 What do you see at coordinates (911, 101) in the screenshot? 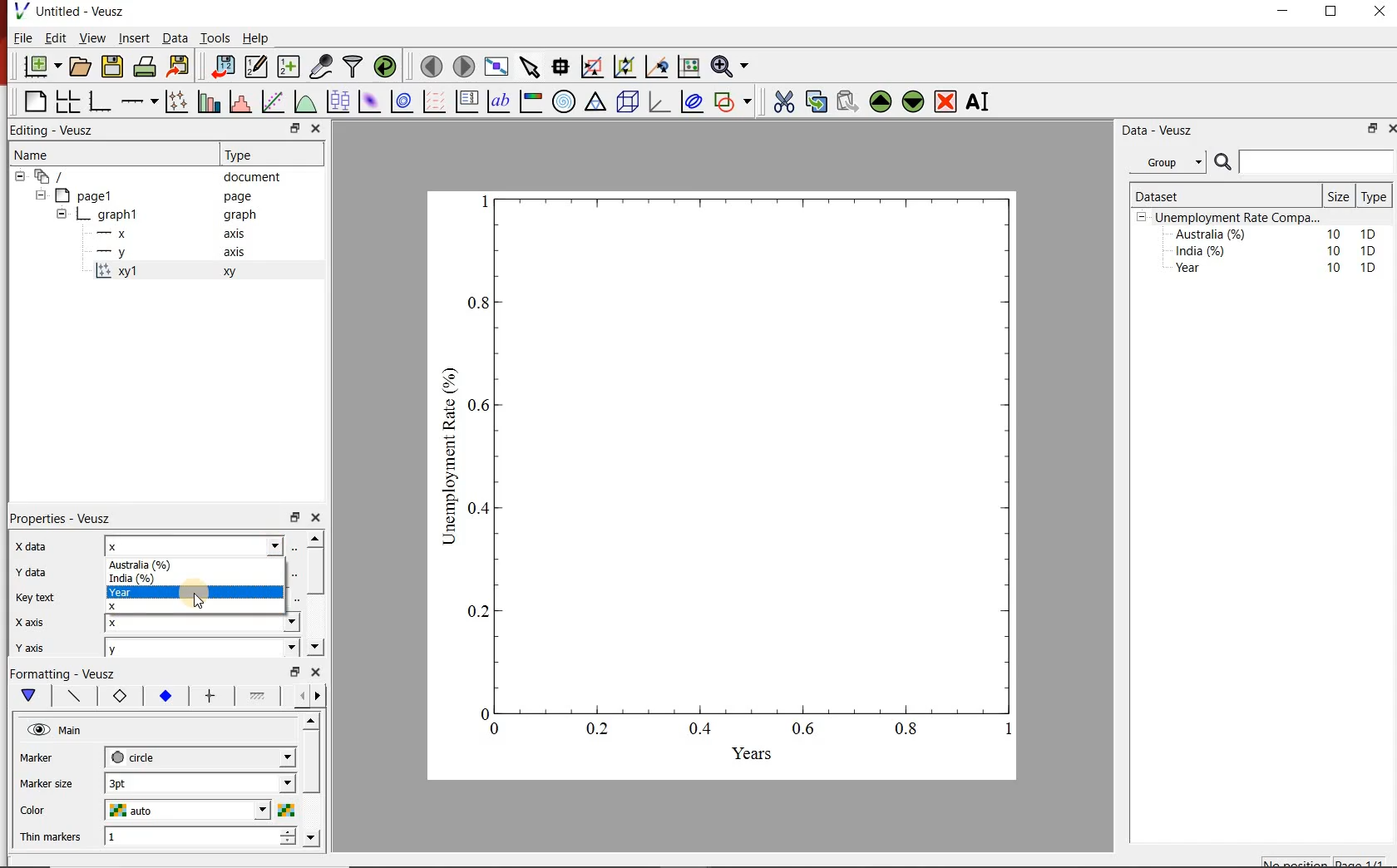
I see `move the widgets down` at bounding box center [911, 101].